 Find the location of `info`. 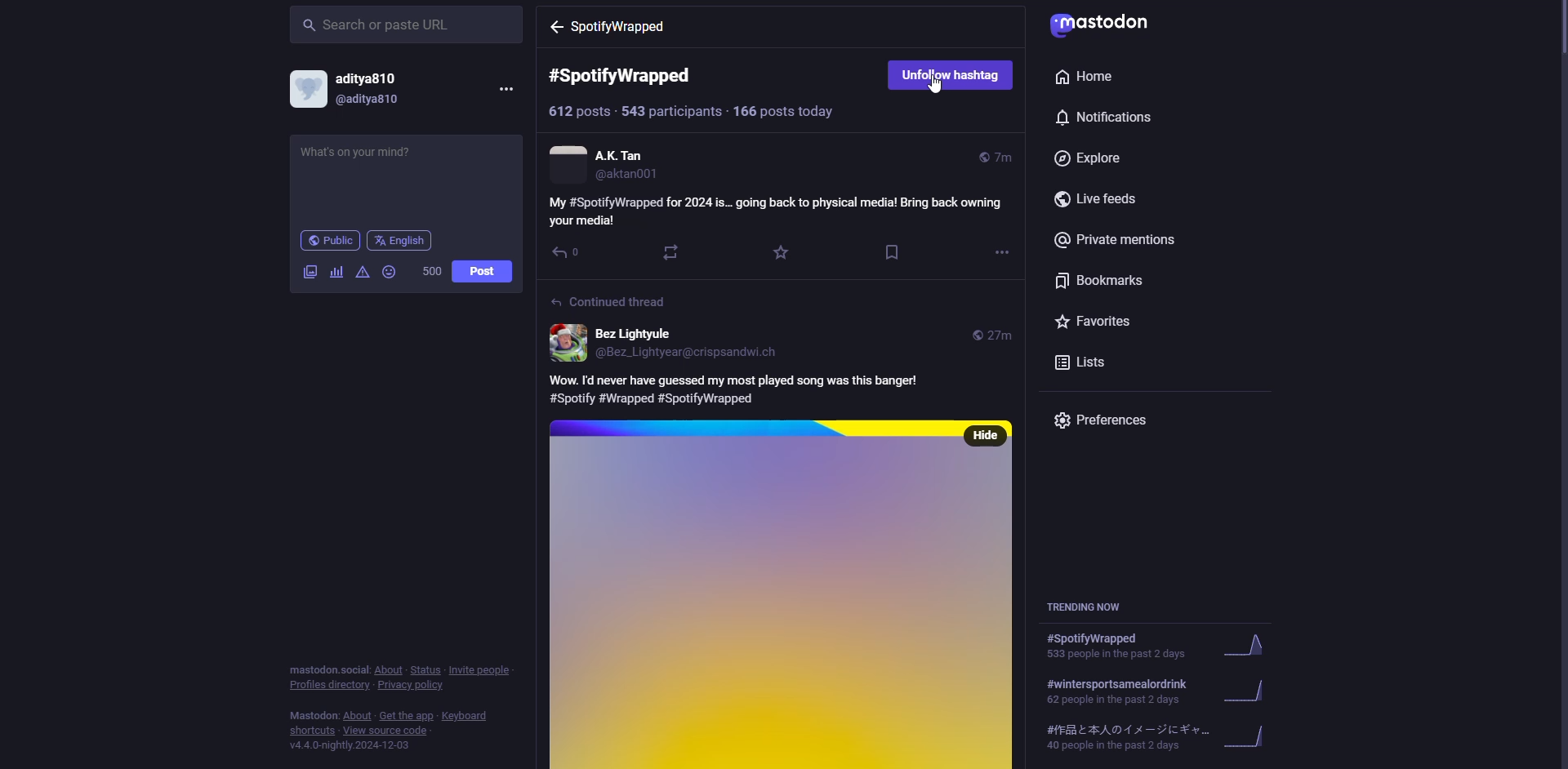

info is located at coordinates (398, 705).